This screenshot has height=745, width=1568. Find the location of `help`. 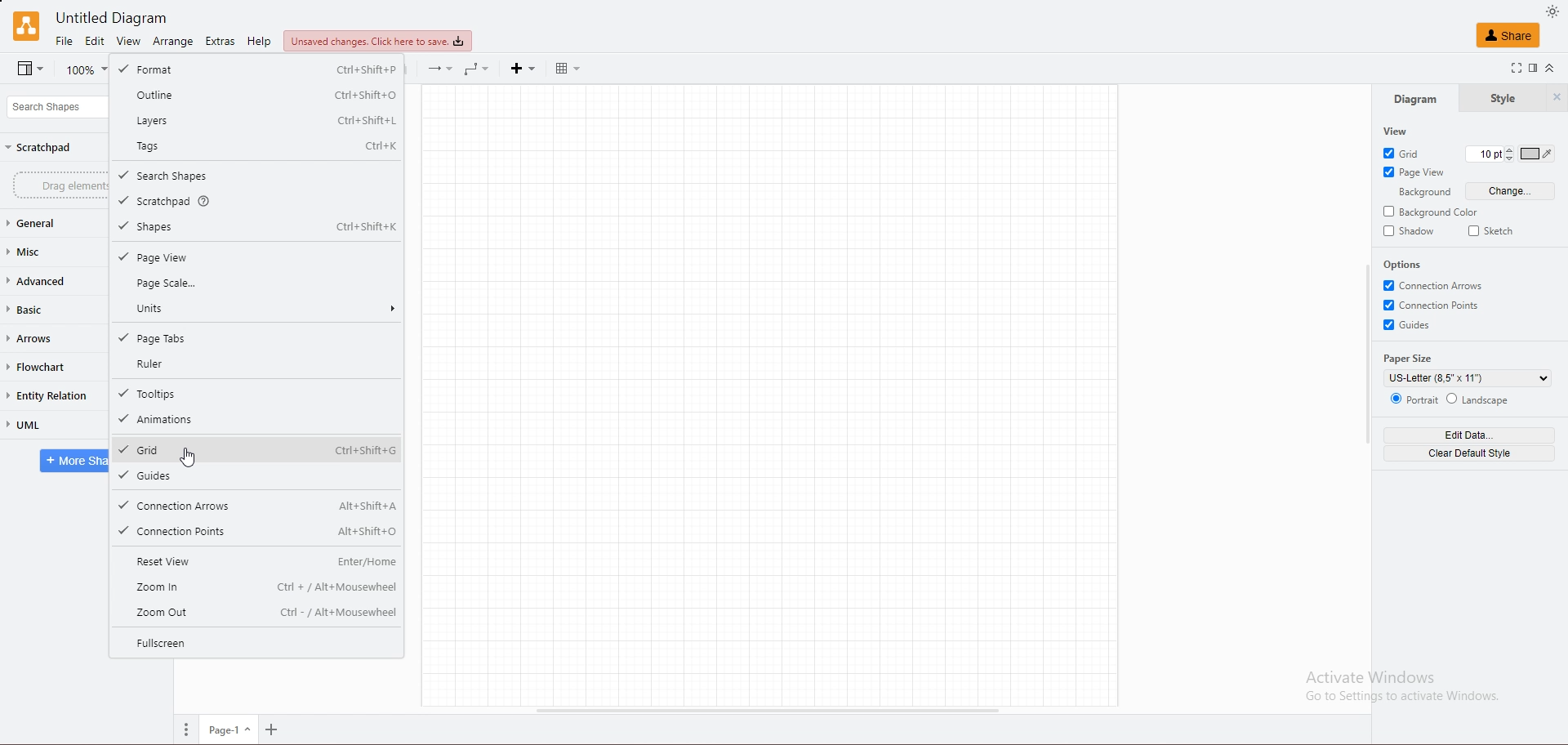

help is located at coordinates (261, 41).